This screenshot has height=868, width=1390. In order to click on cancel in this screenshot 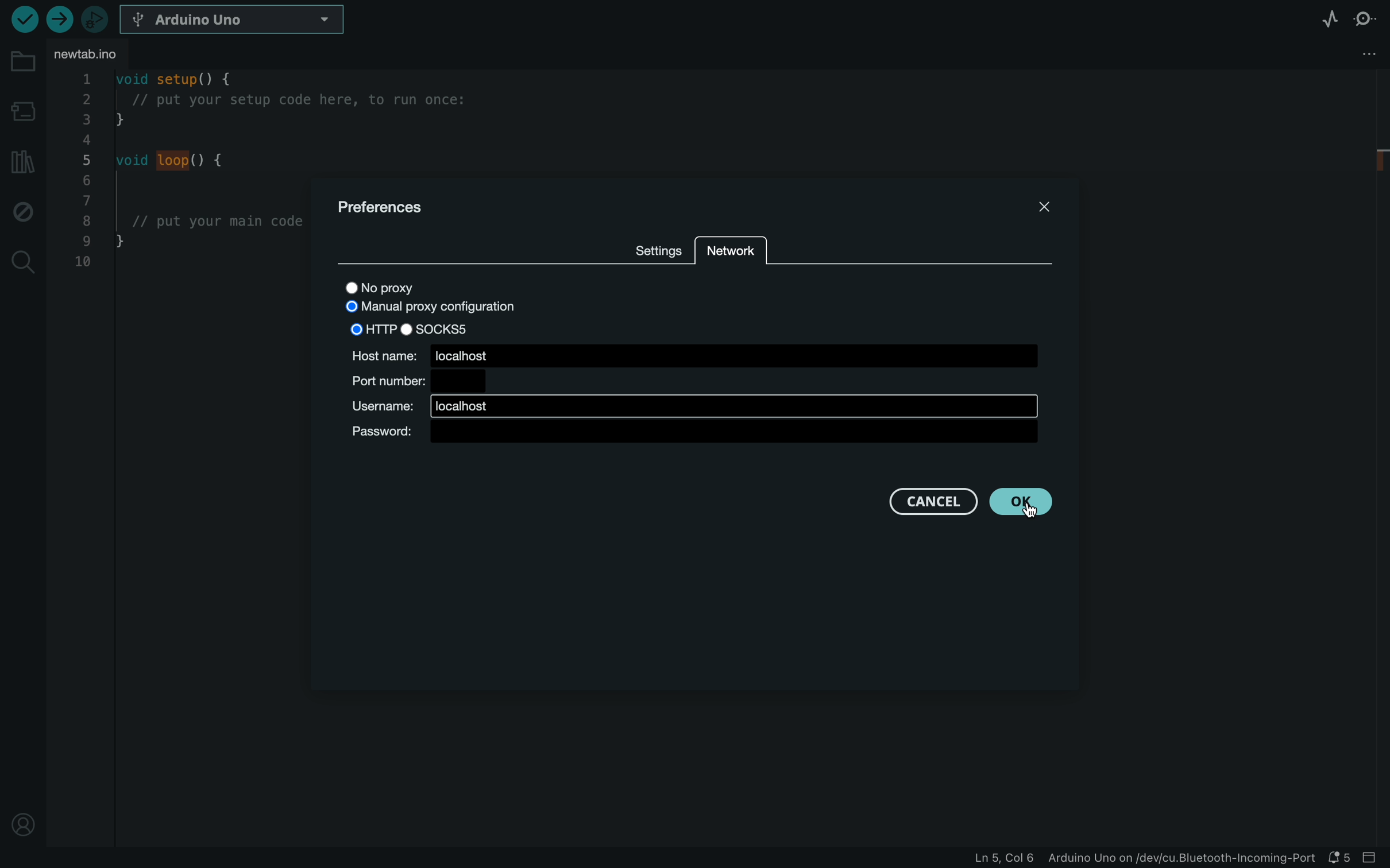, I will do `click(934, 501)`.